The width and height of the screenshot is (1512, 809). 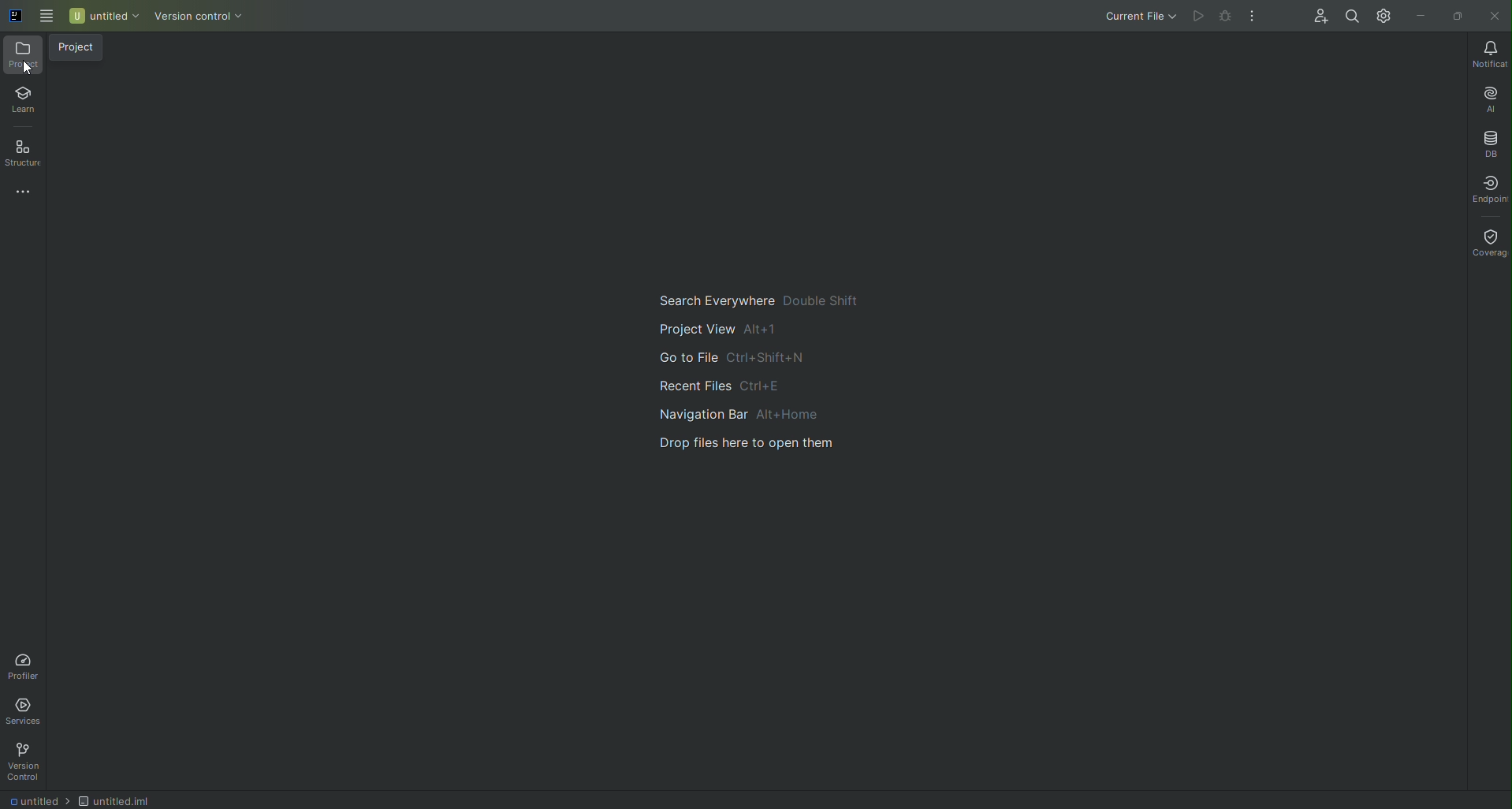 I want to click on Cannot run code, so click(x=1227, y=17).